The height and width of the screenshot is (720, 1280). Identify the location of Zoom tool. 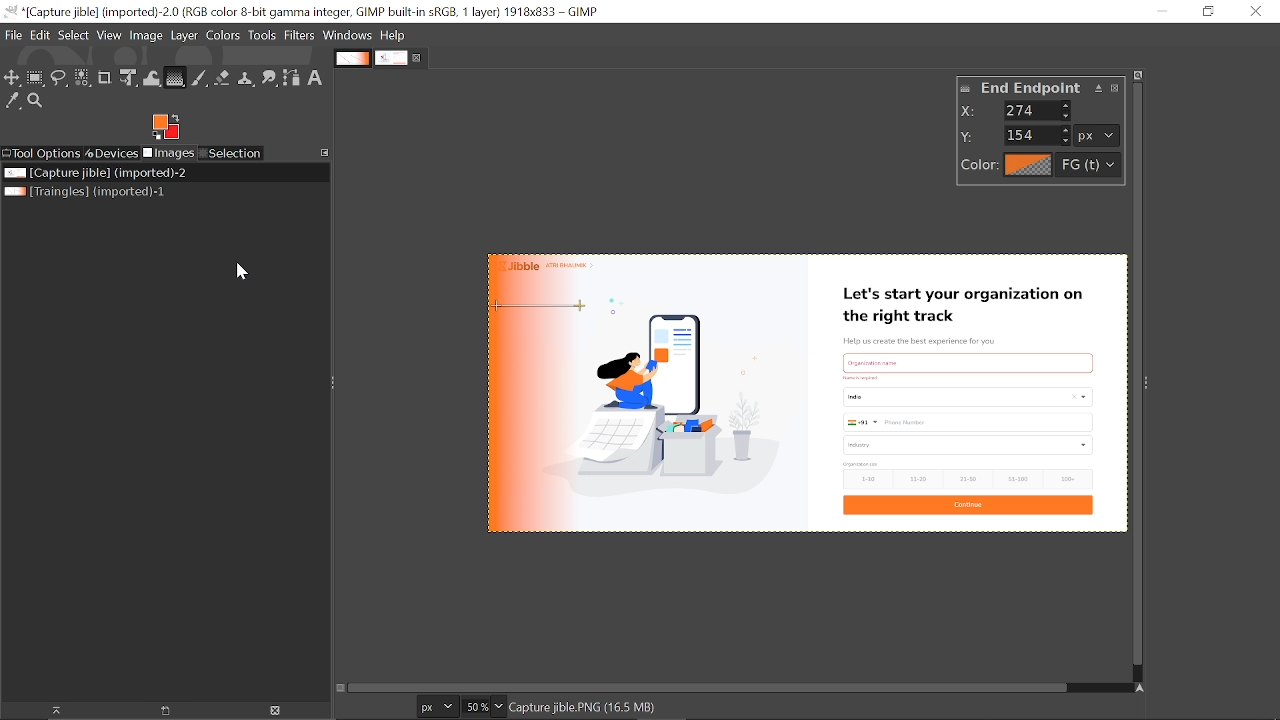
(35, 100).